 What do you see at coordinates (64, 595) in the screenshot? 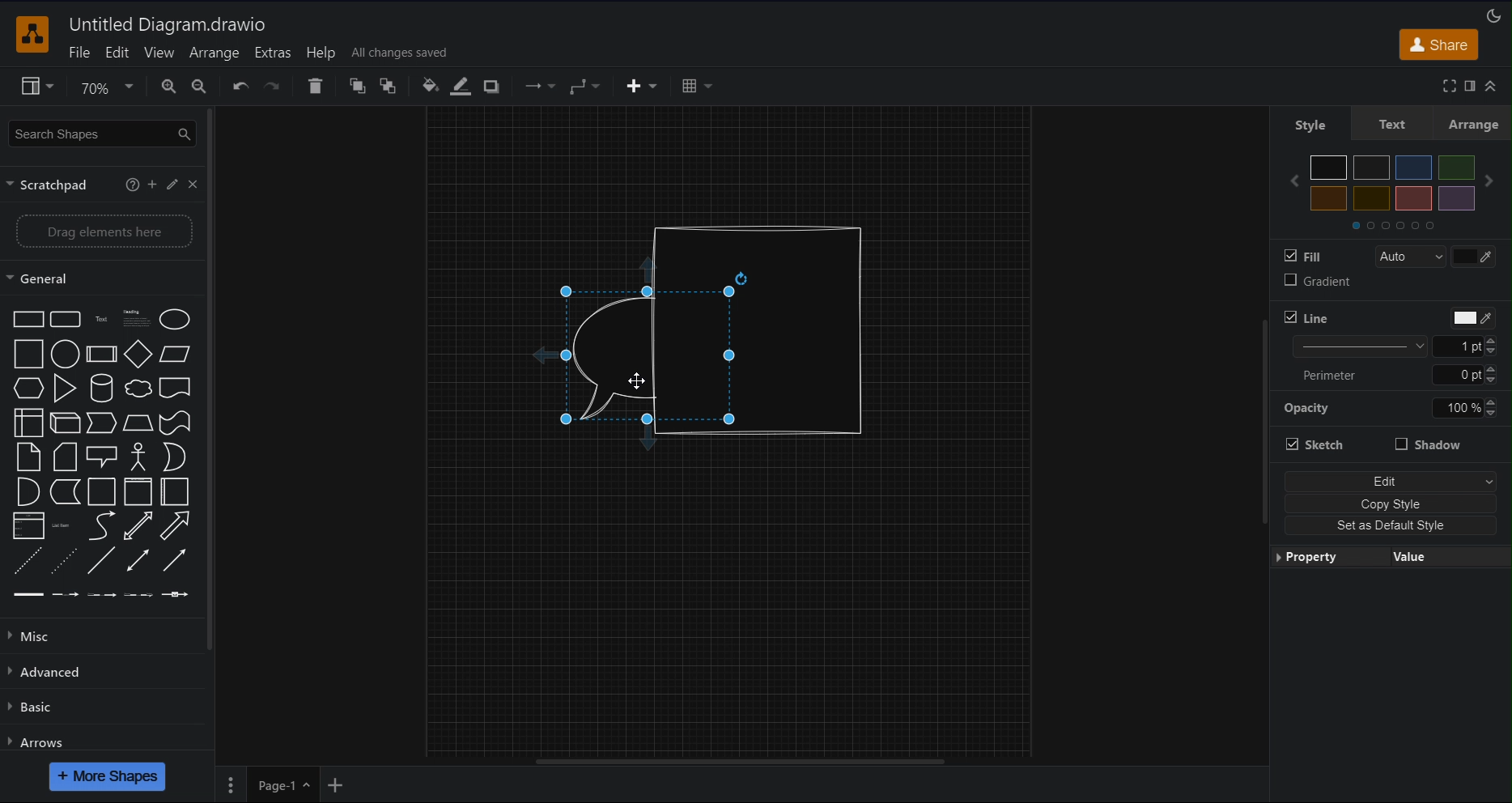
I see `Connector with label` at bounding box center [64, 595].